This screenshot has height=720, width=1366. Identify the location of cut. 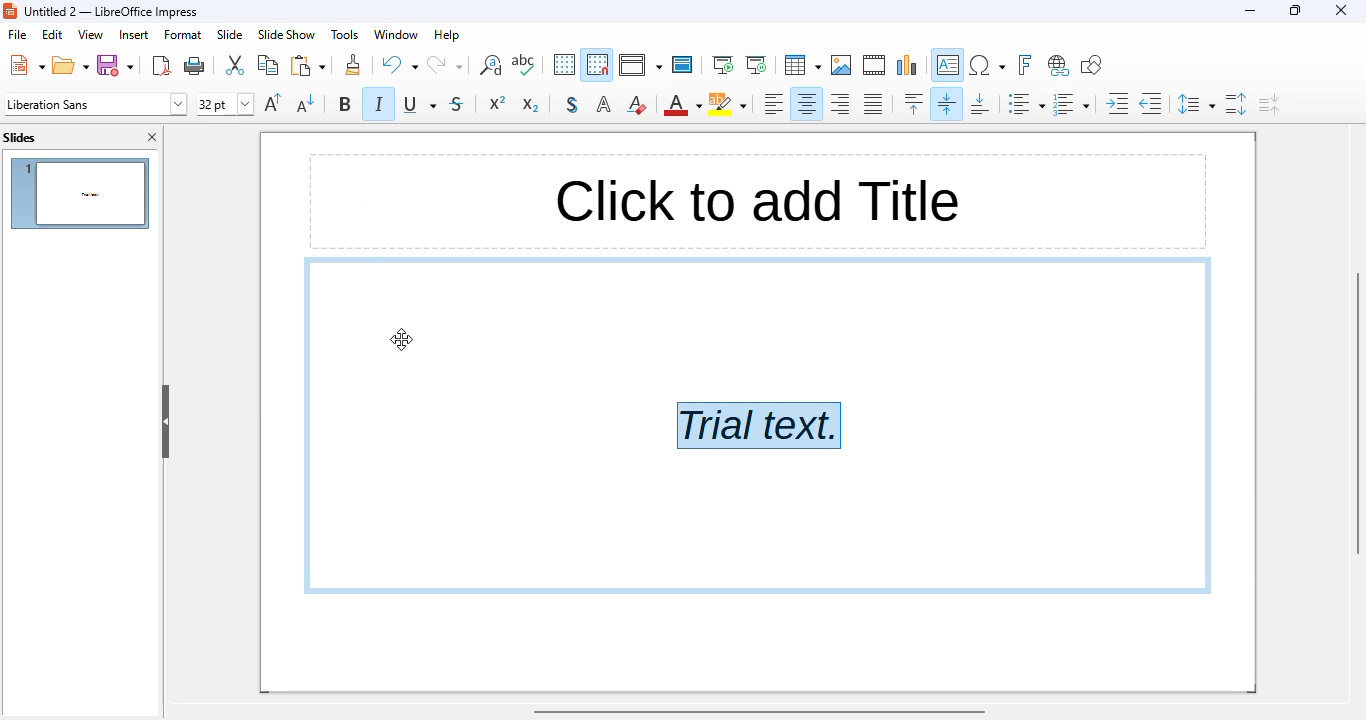
(236, 65).